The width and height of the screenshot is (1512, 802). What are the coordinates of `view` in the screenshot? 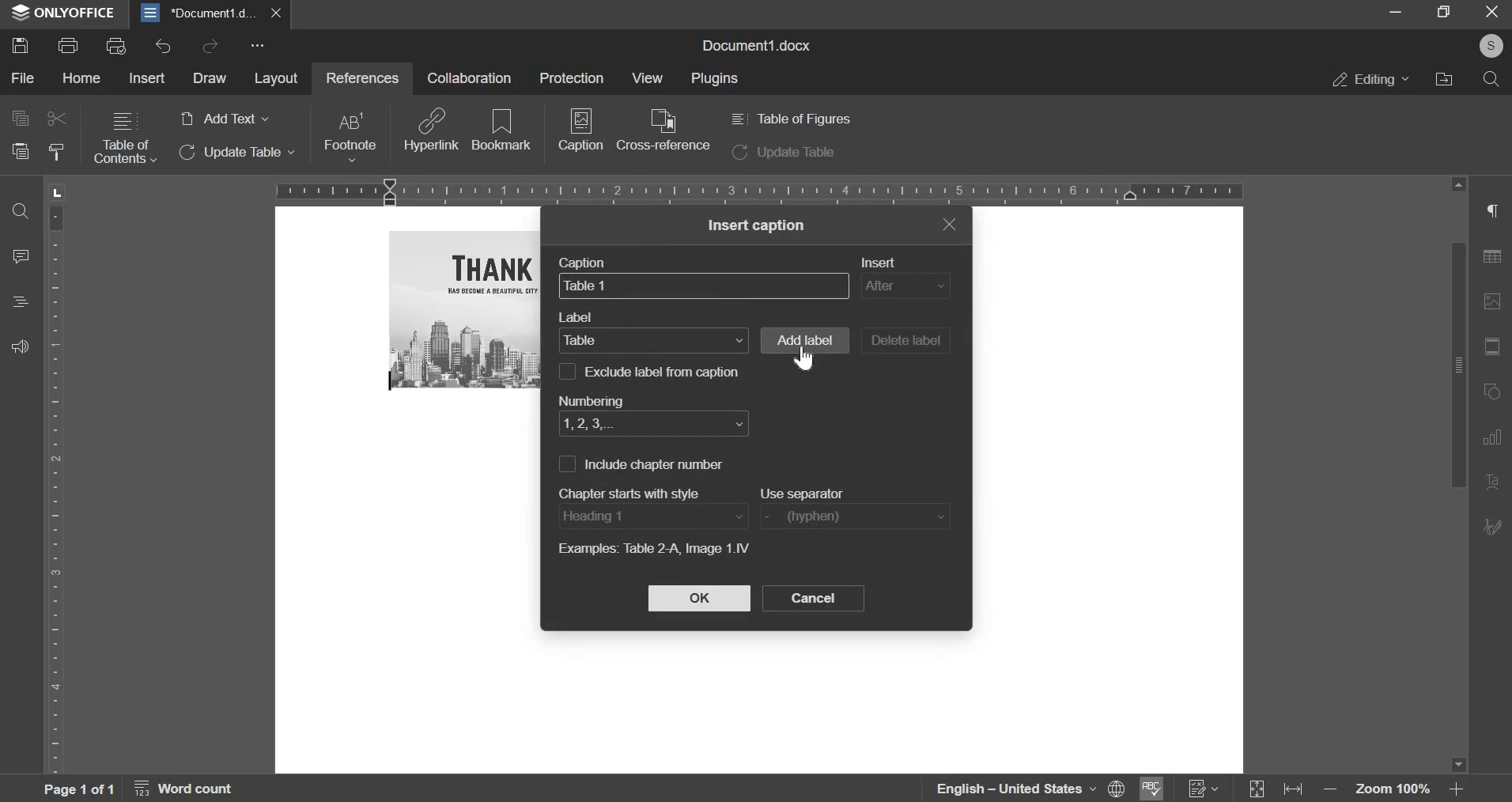 It's located at (645, 78).